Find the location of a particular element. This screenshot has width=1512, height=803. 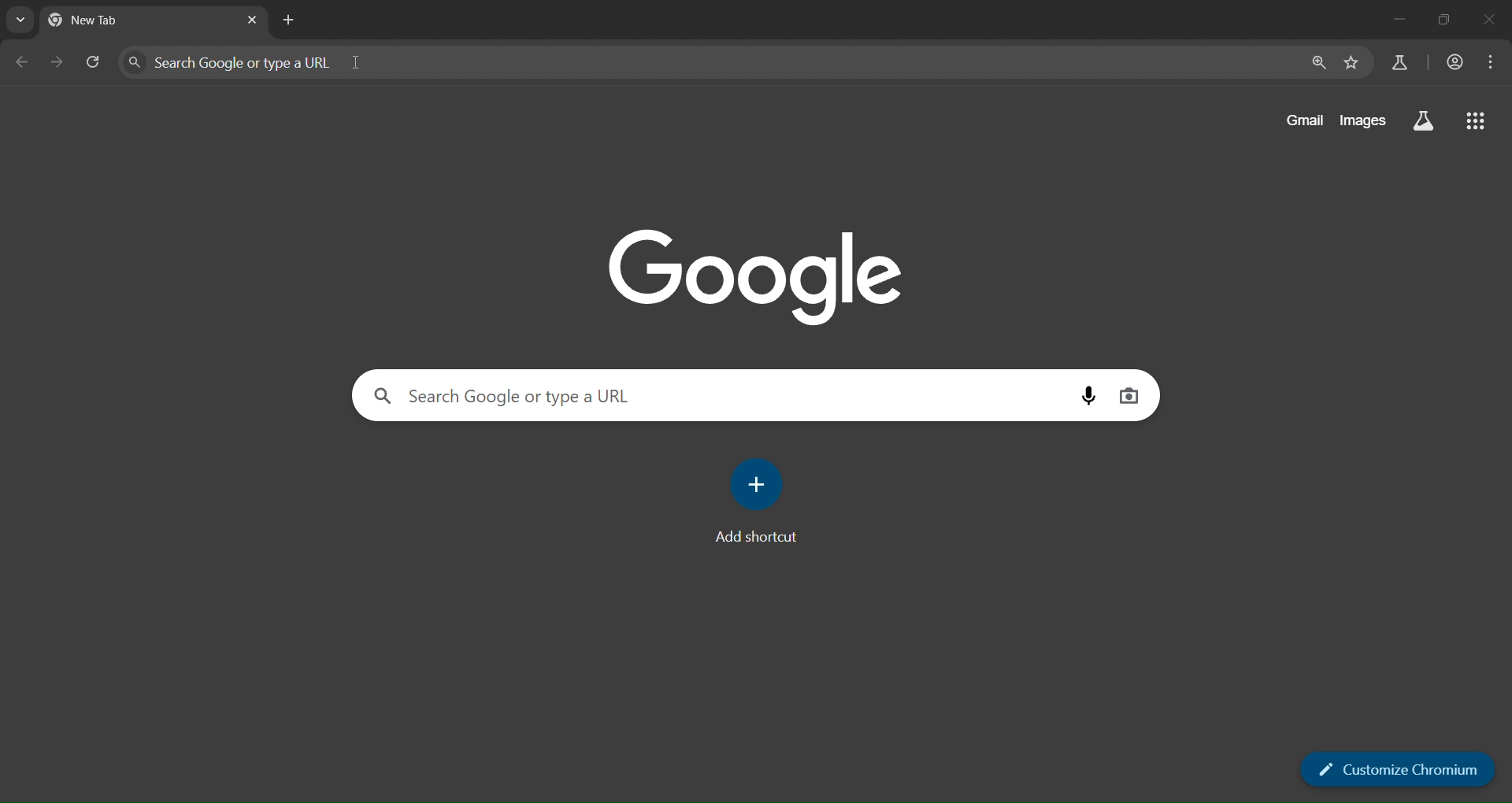

gmail is located at coordinates (1303, 120).